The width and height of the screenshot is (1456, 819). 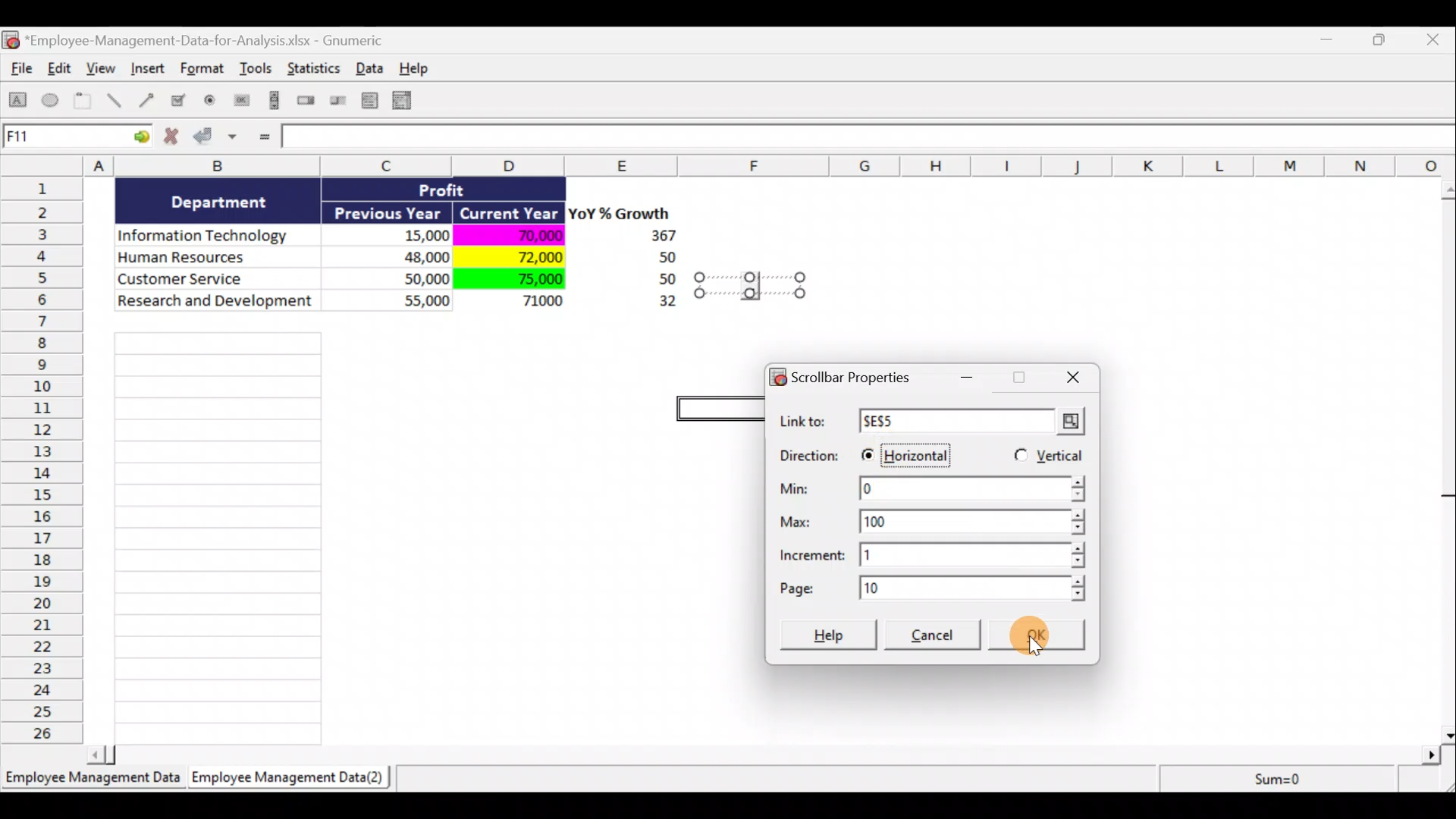 I want to click on Close, so click(x=1068, y=378).